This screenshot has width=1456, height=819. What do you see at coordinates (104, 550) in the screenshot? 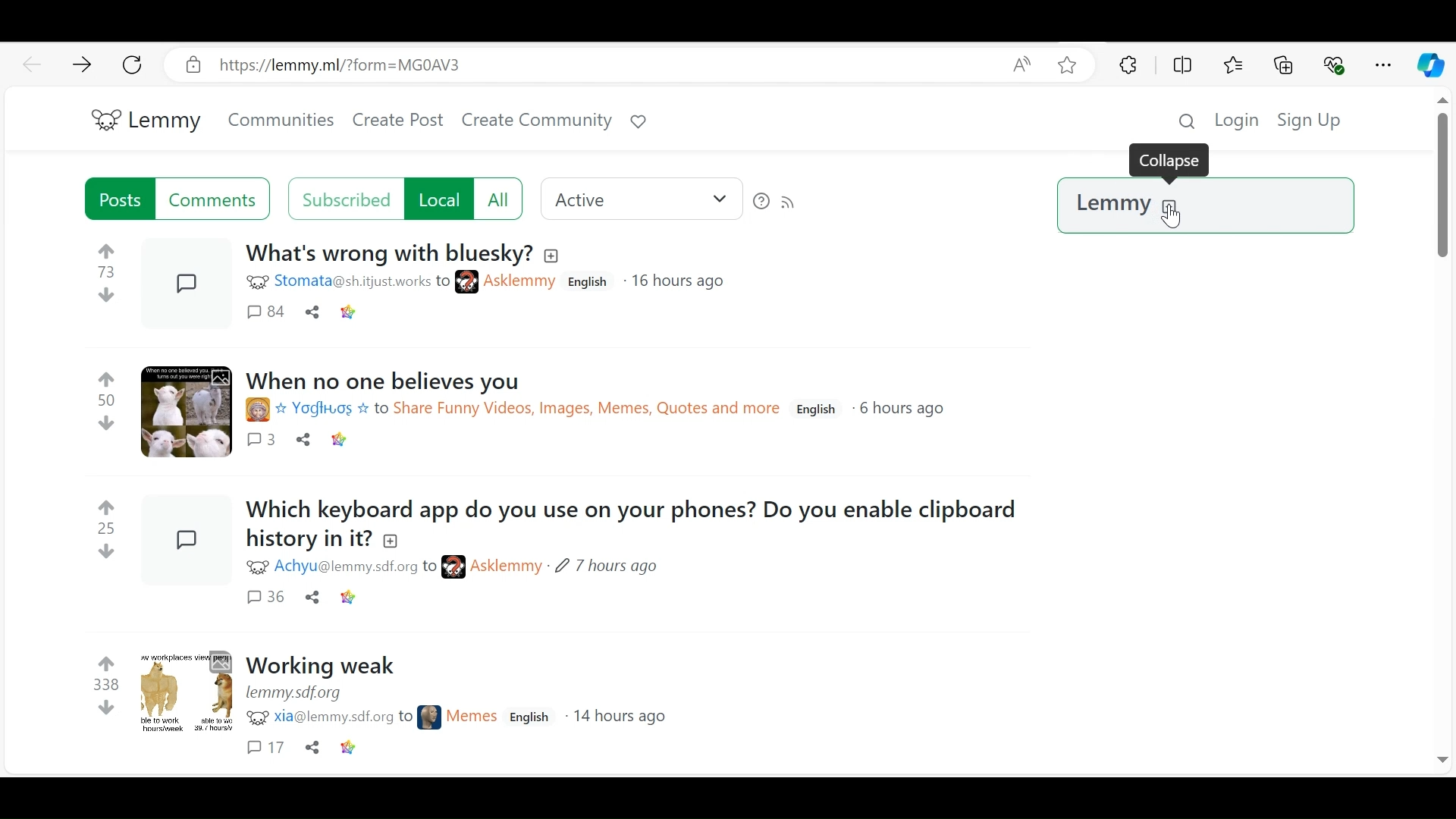
I see `downvotes` at bounding box center [104, 550].